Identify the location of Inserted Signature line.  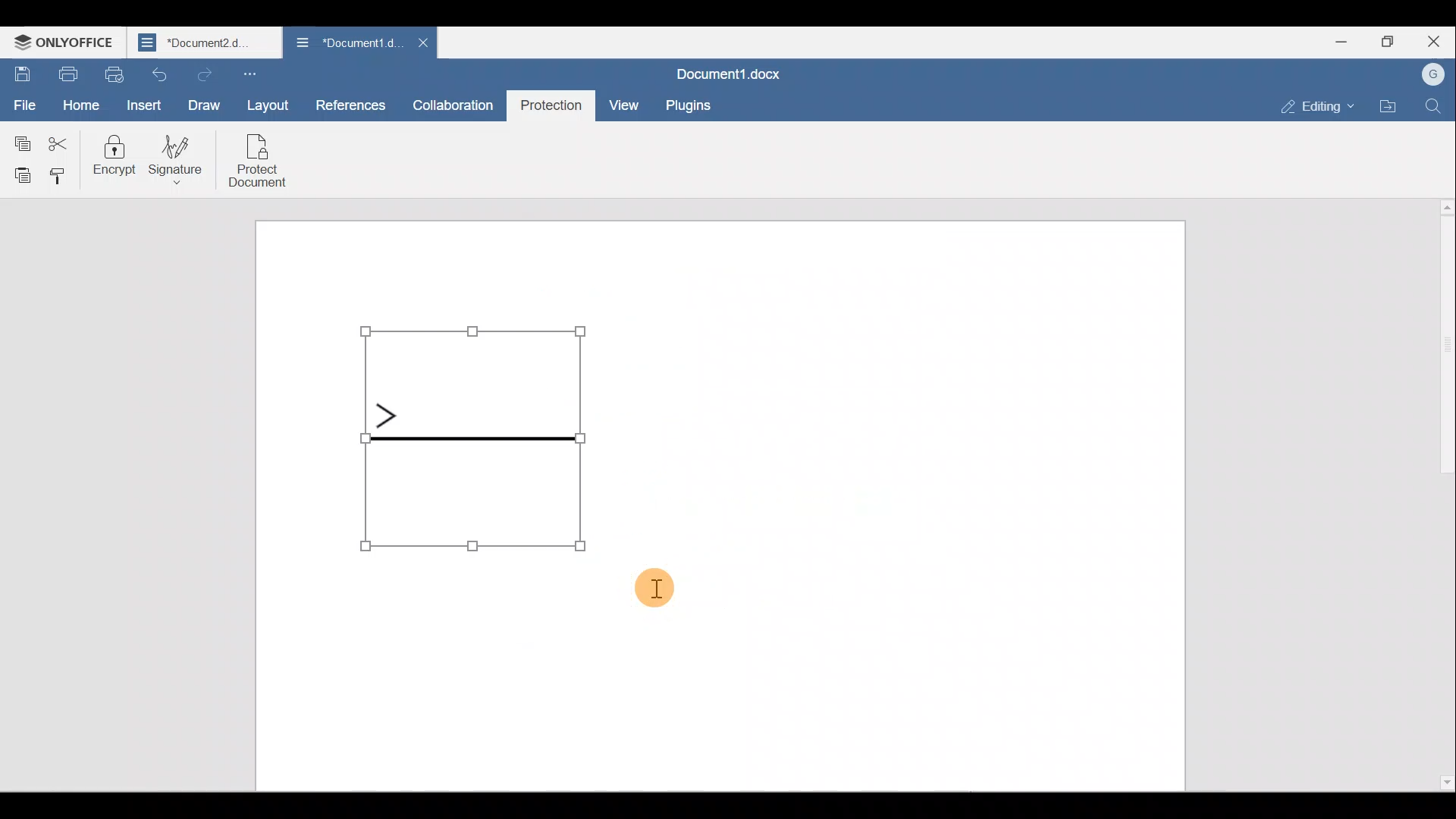
(472, 436).